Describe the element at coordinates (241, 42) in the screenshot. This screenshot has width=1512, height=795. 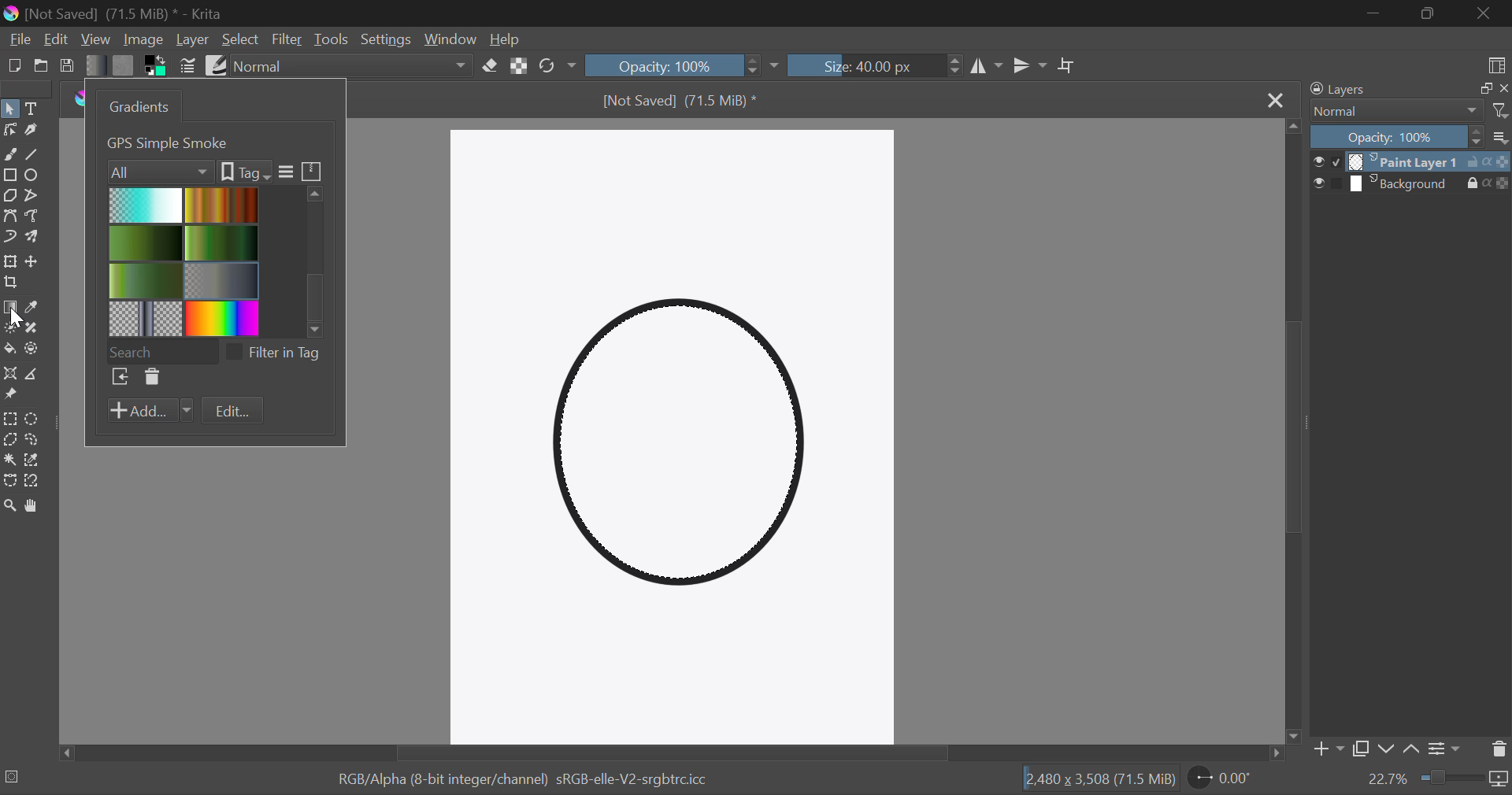
I see `Select` at that location.